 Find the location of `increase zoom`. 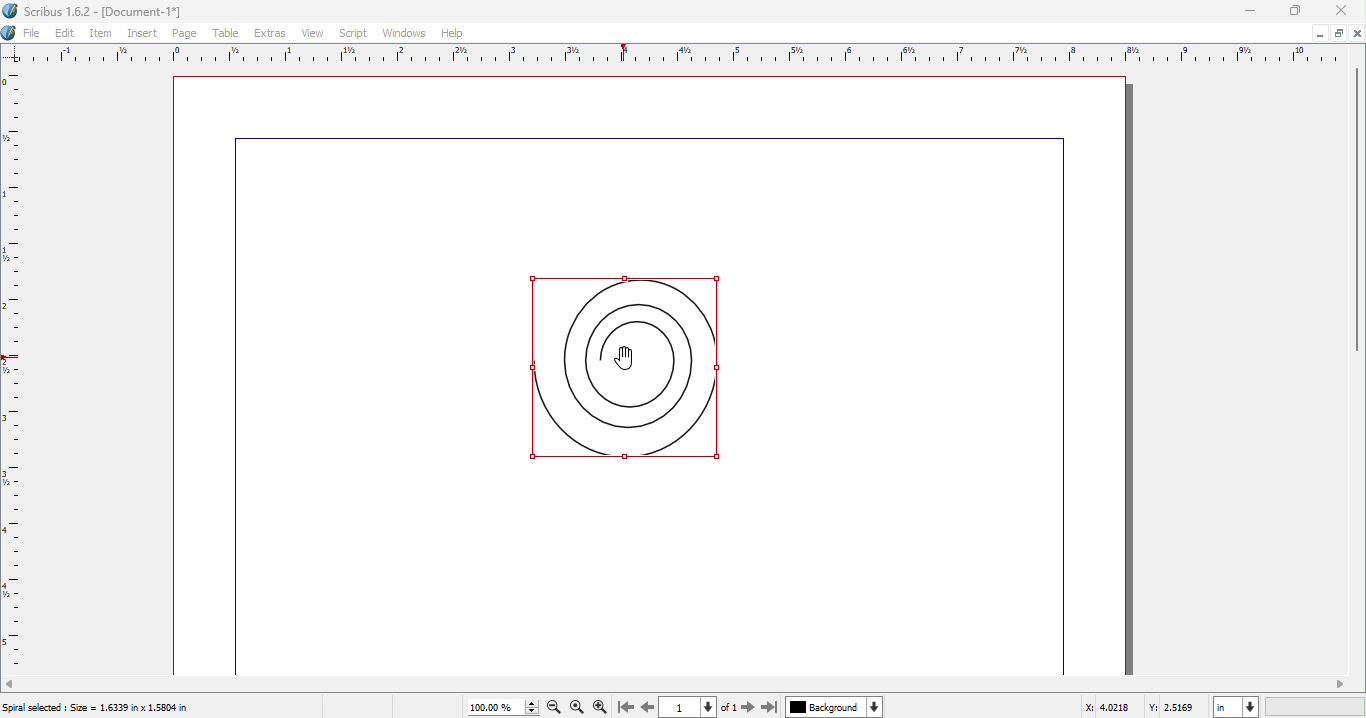

increase zoom is located at coordinates (531, 702).